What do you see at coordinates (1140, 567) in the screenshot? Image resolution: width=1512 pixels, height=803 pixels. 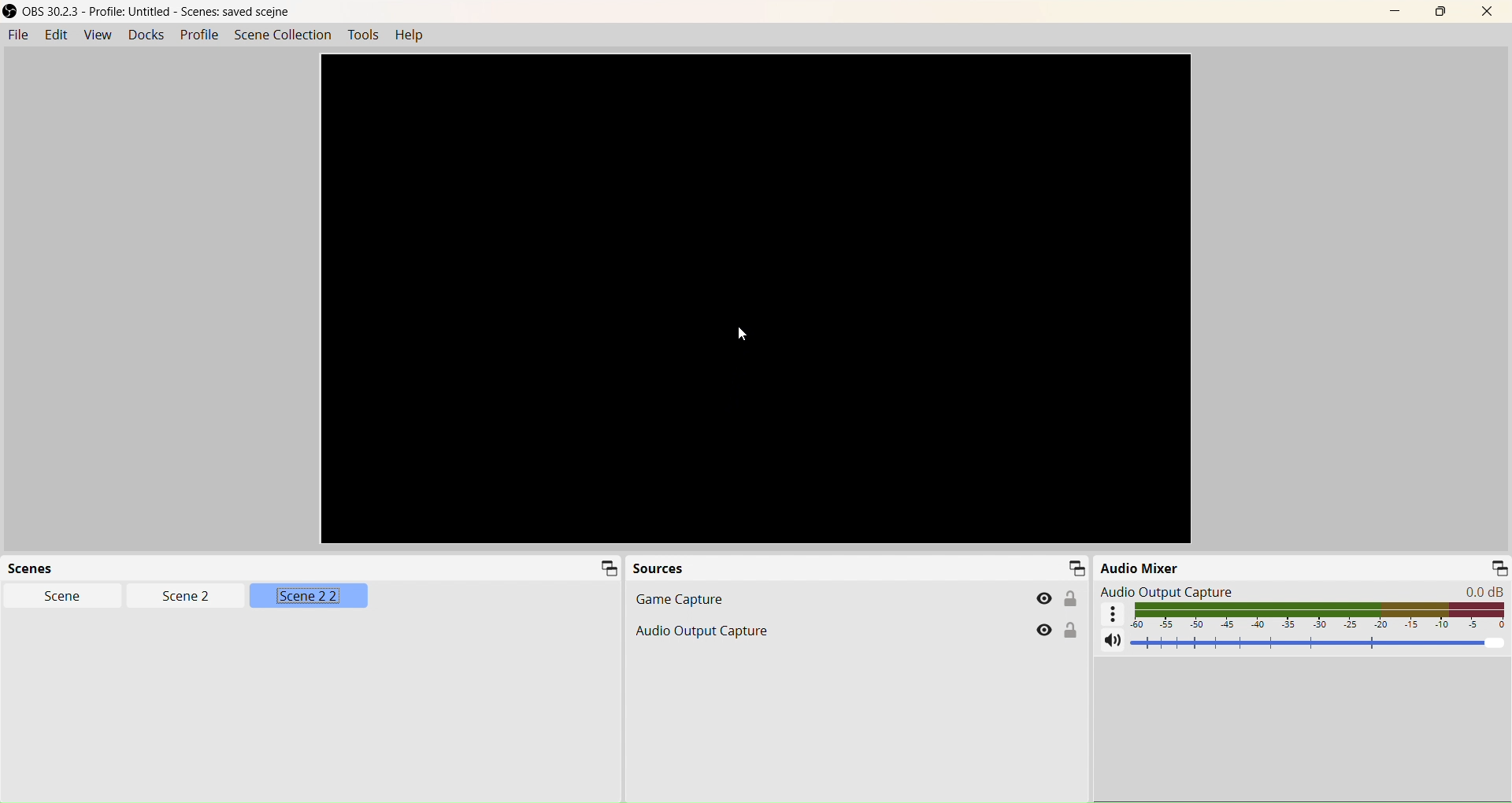 I see `Audio Mixer` at bounding box center [1140, 567].